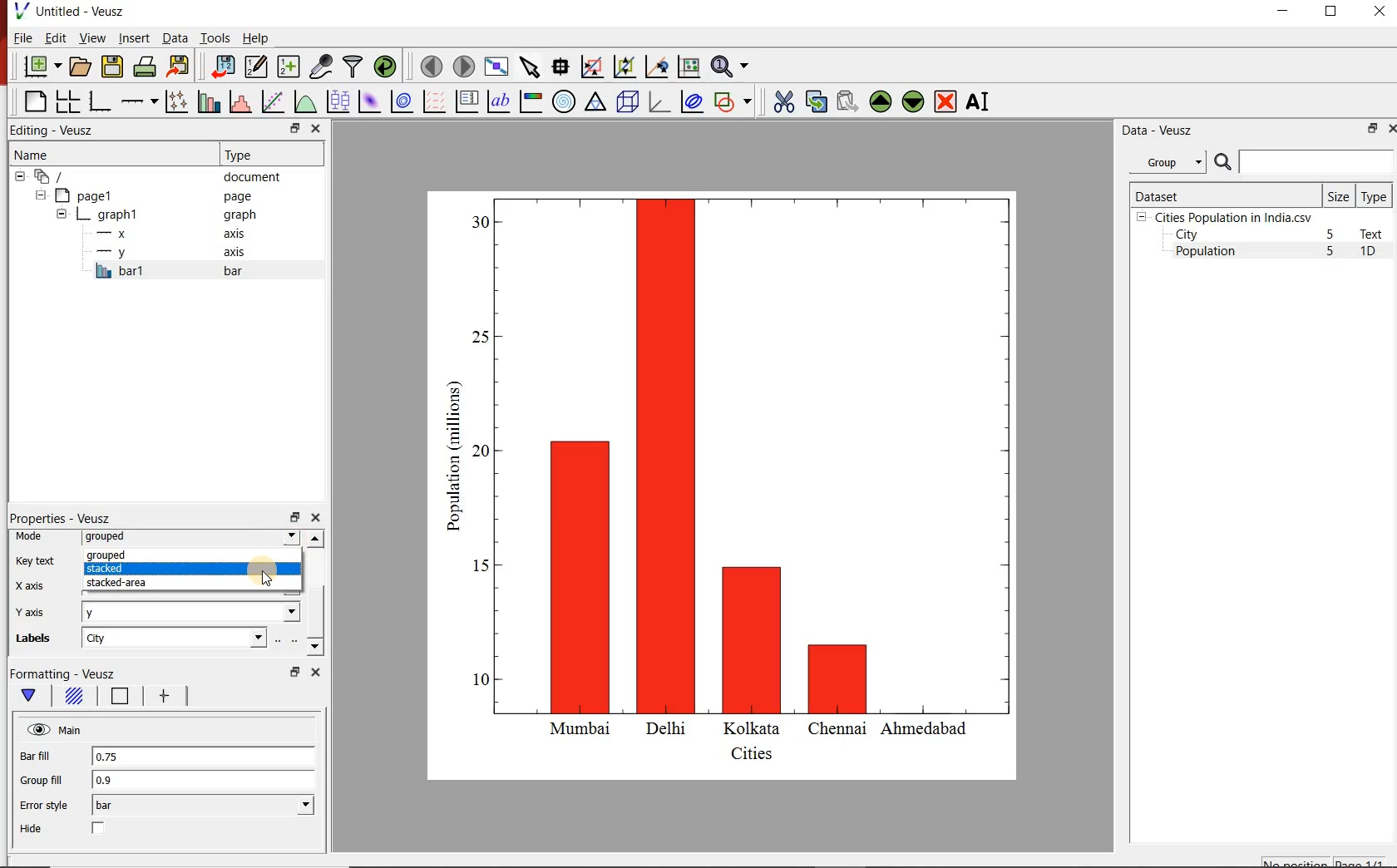  I want to click on import data into Veusz, so click(222, 66).